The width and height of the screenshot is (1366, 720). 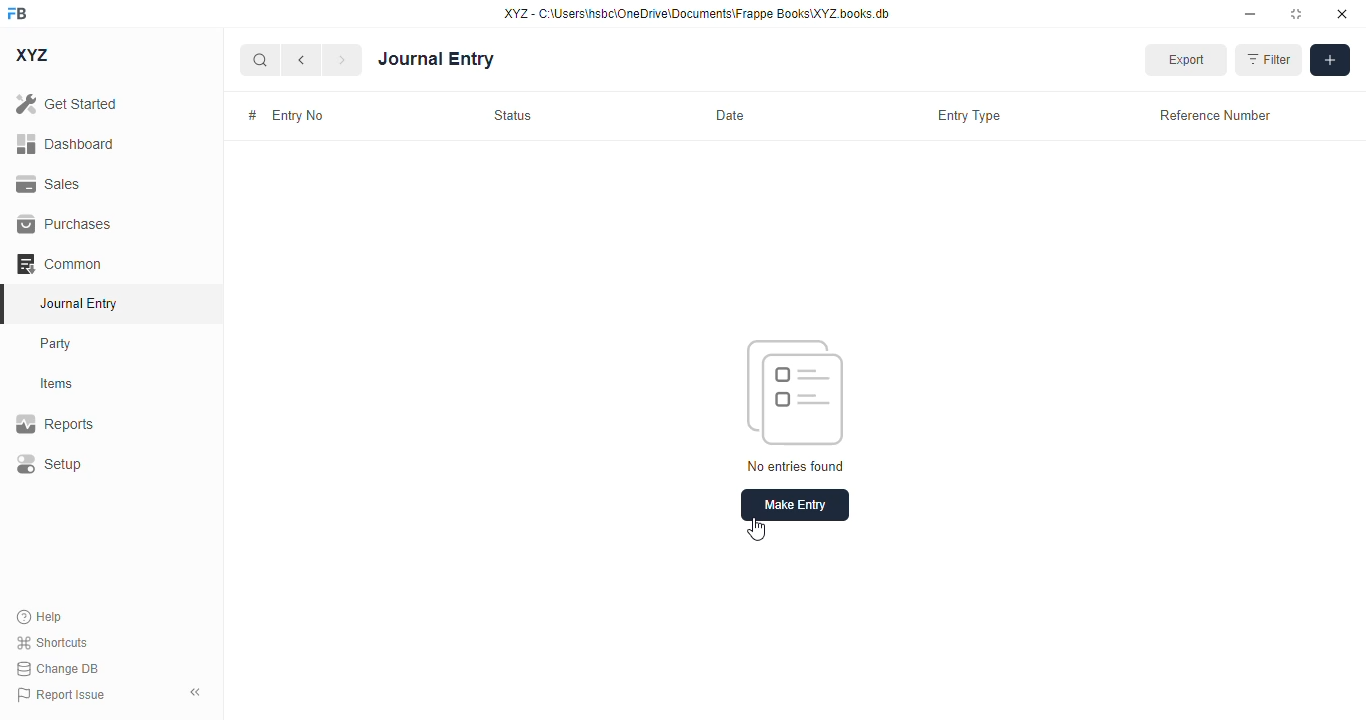 What do you see at coordinates (968, 116) in the screenshot?
I see `entry type` at bounding box center [968, 116].